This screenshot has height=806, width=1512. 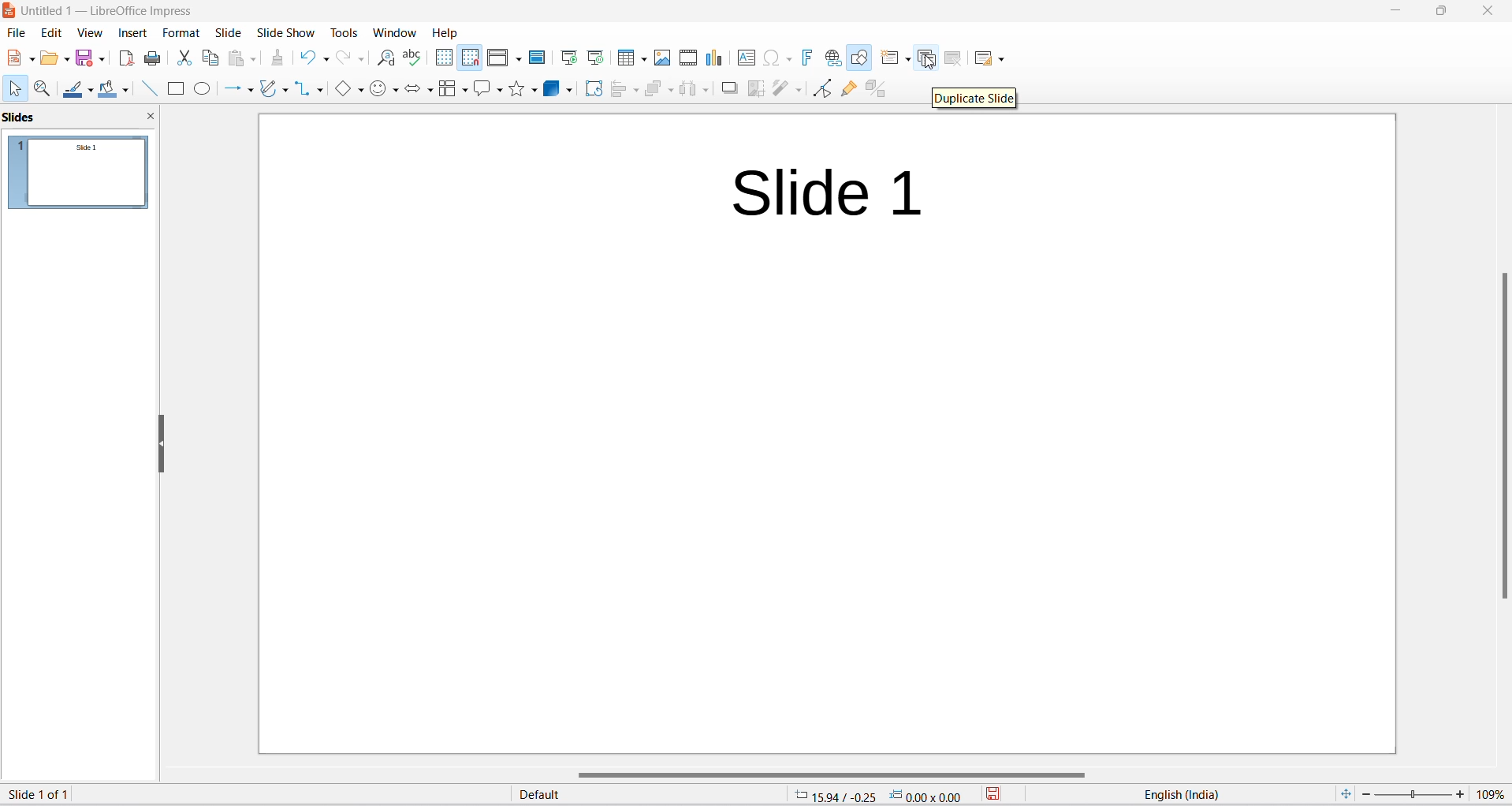 I want to click on export as pdf, so click(x=127, y=58).